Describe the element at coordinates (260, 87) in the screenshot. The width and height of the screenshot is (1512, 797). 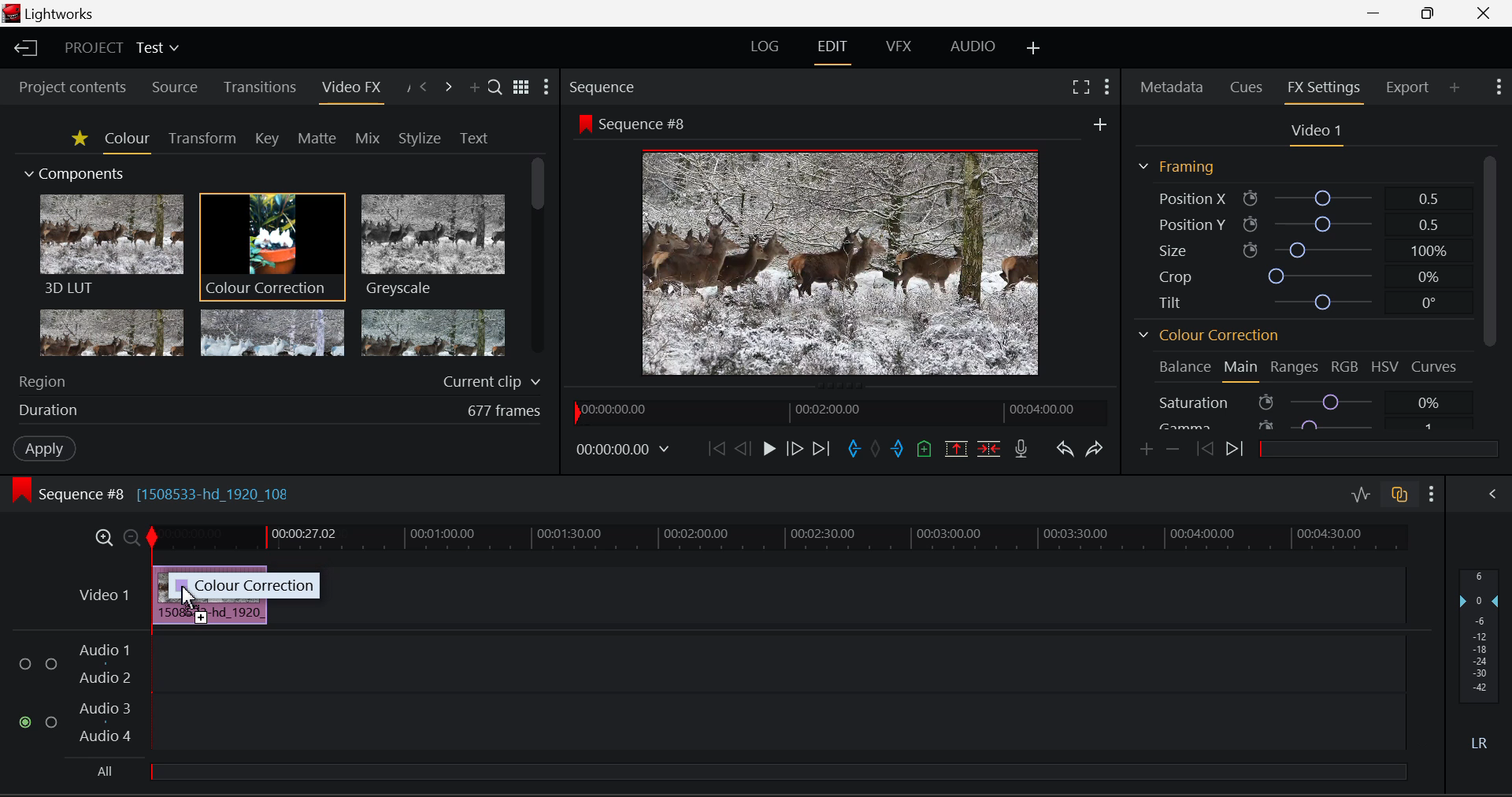
I see `Transitions` at that location.